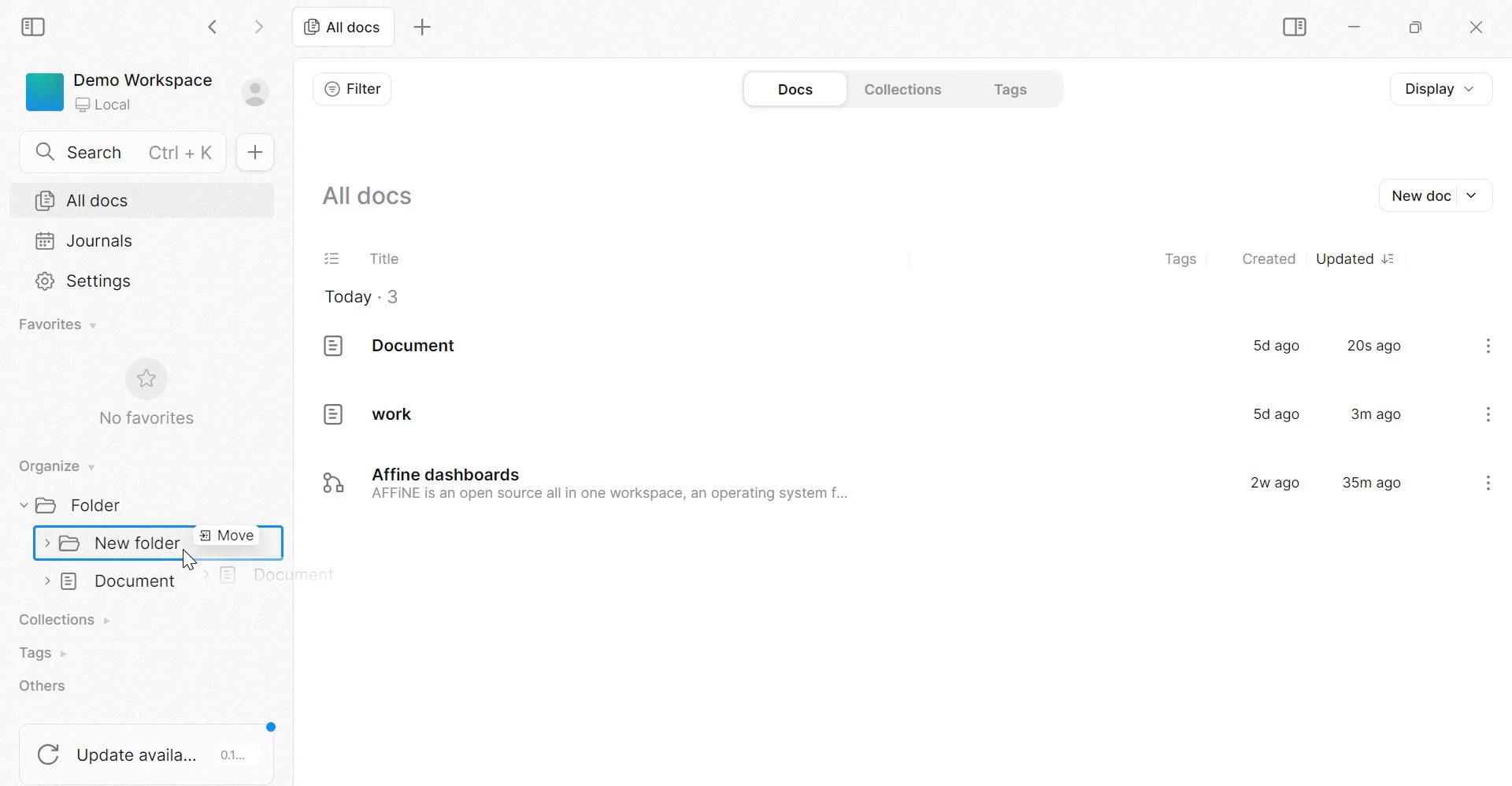  Describe the element at coordinates (1489, 346) in the screenshot. I see `kebab menu` at that location.